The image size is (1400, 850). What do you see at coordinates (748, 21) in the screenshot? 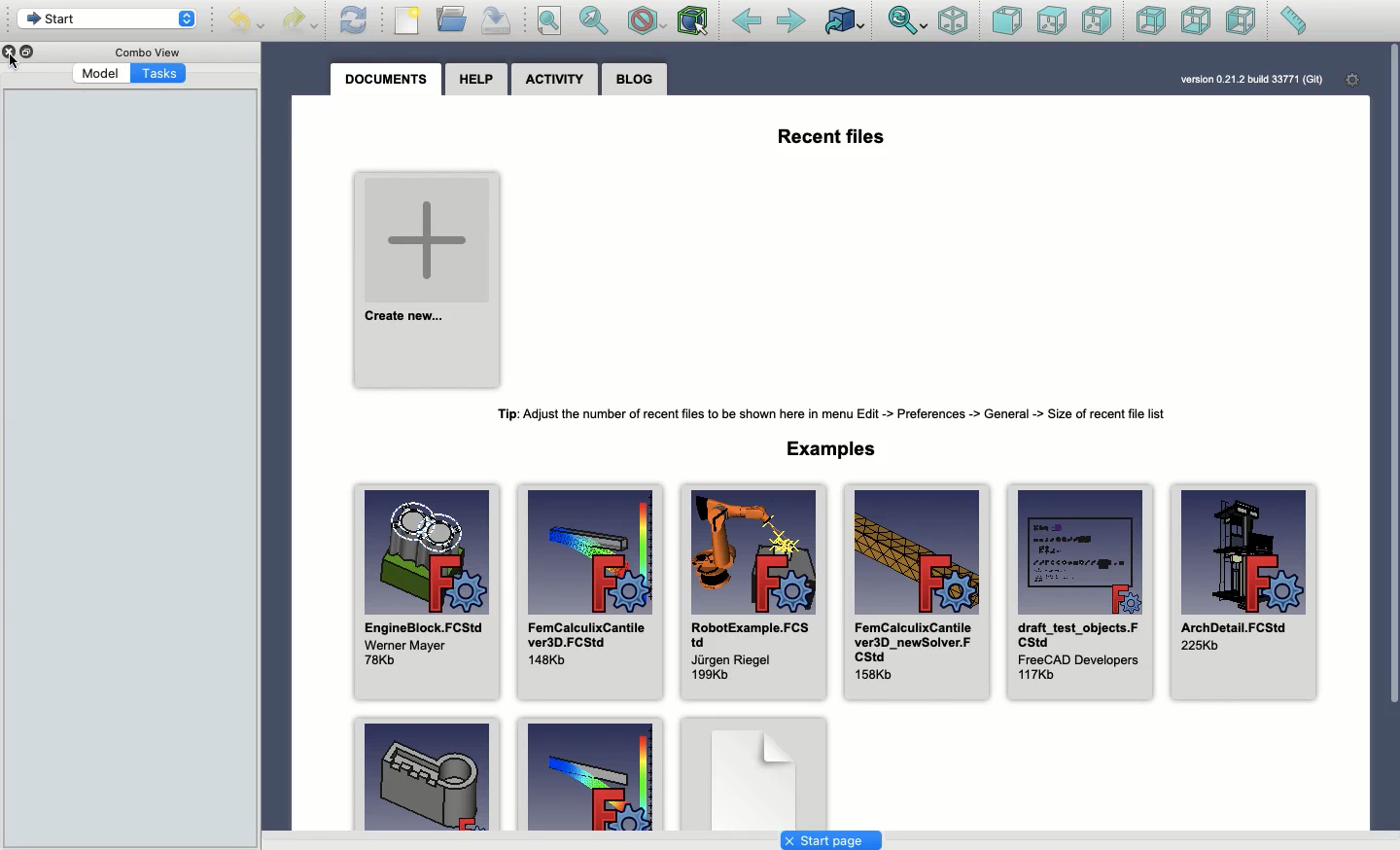
I see `Back` at bounding box center [748, 21].